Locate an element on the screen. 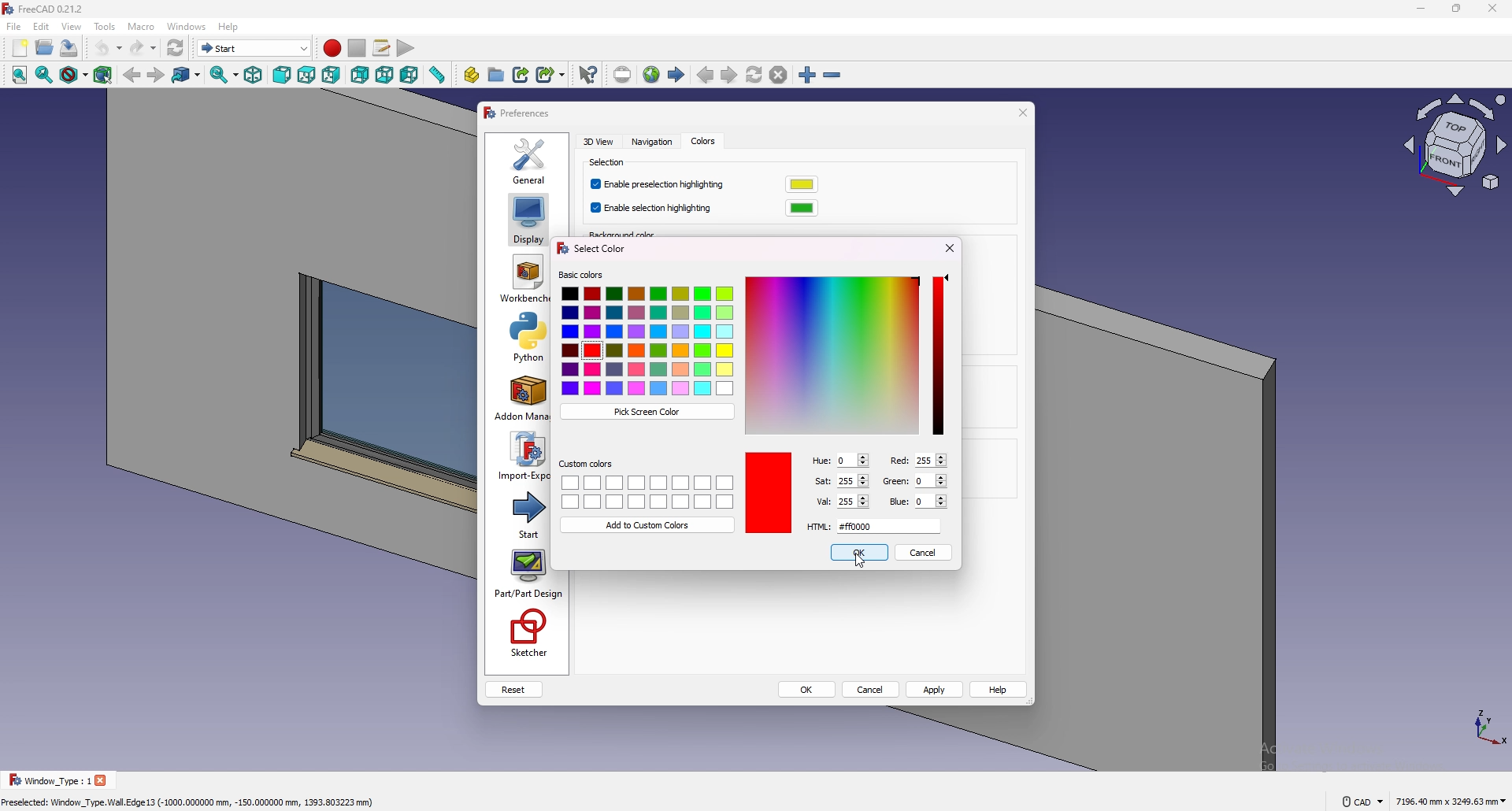 This screenshot has height=811, width=1512. bottom is located at coordinates (385, 76).